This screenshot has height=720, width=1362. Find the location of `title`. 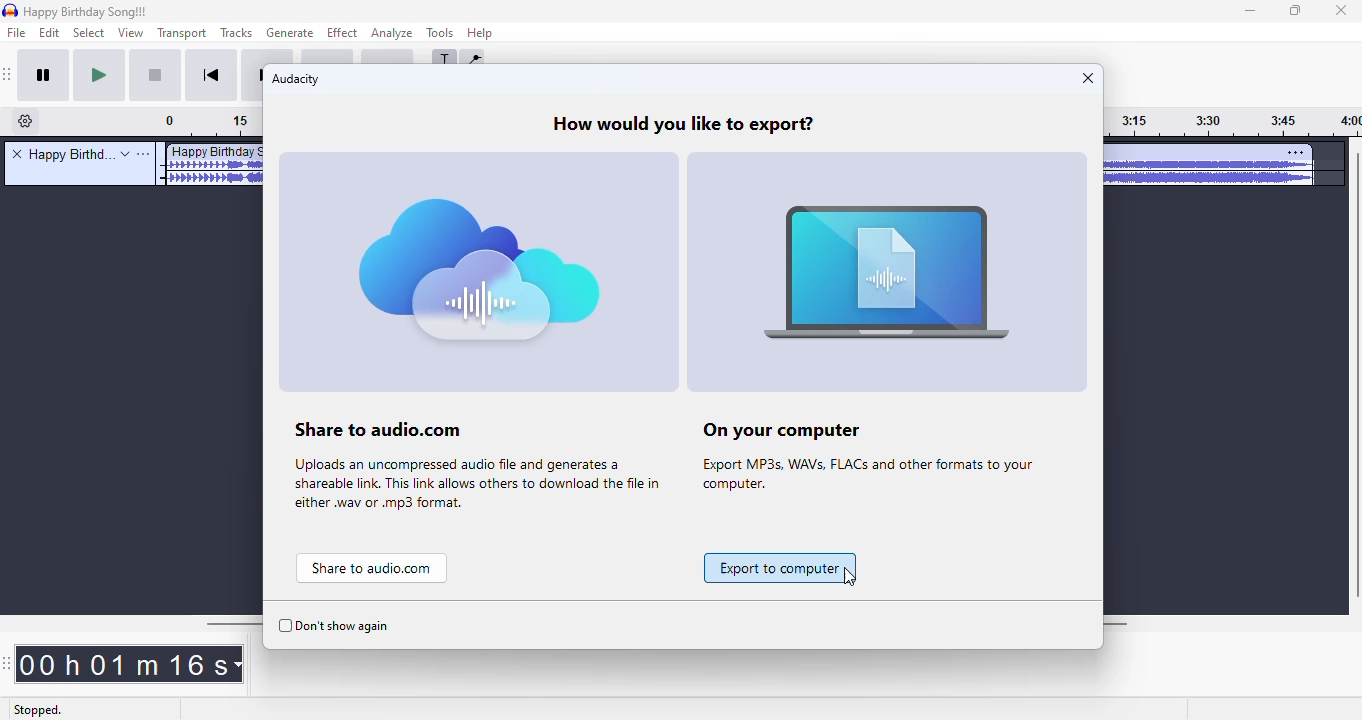

title is located at coordinates (87, 12).